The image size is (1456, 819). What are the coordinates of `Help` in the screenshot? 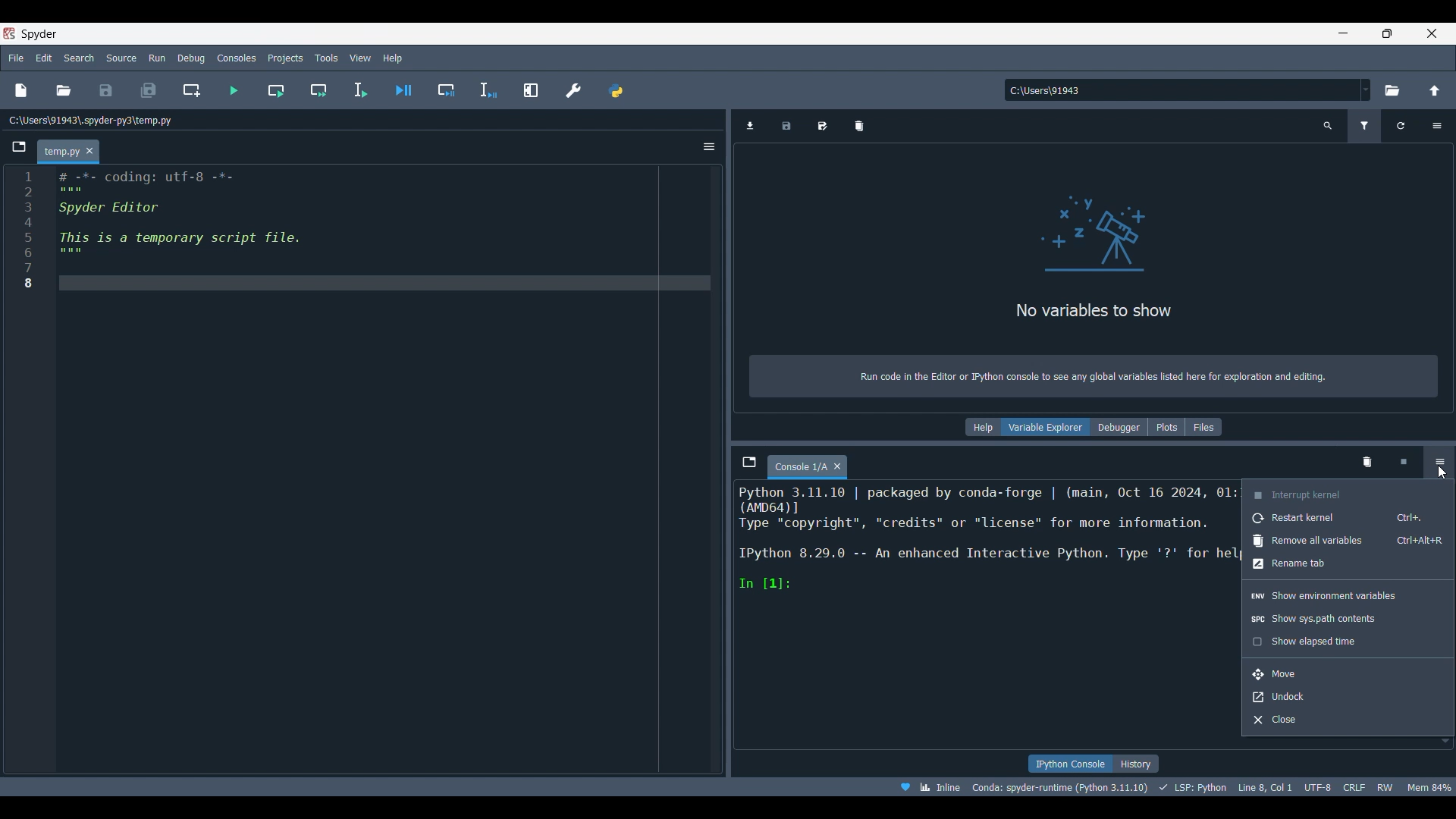 It's located at (983, 427).